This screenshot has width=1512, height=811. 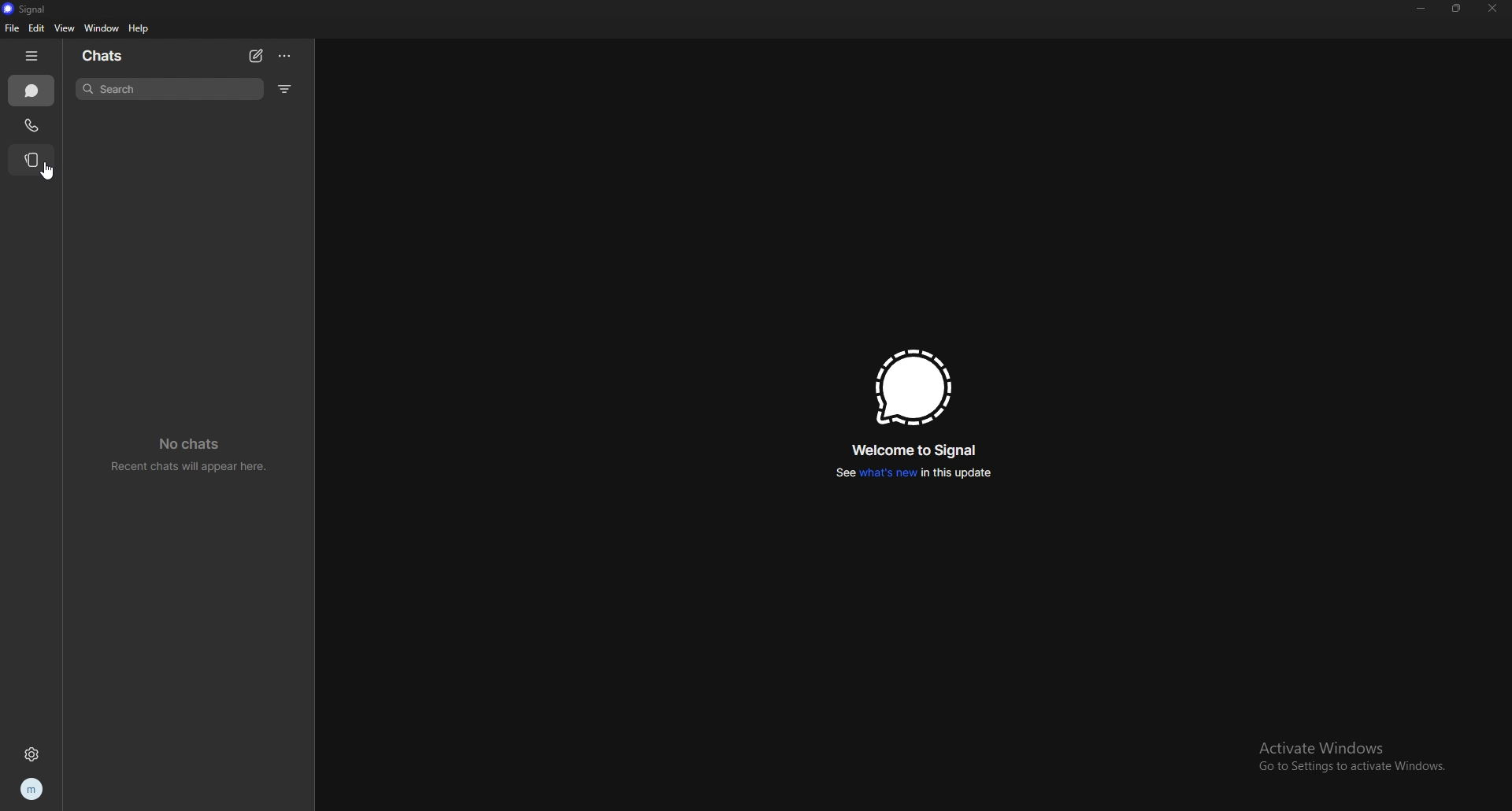 What do you see at coordinates (1421, 9) in the screenshot?
I see `minimize` at bounding box center [1421, 9].